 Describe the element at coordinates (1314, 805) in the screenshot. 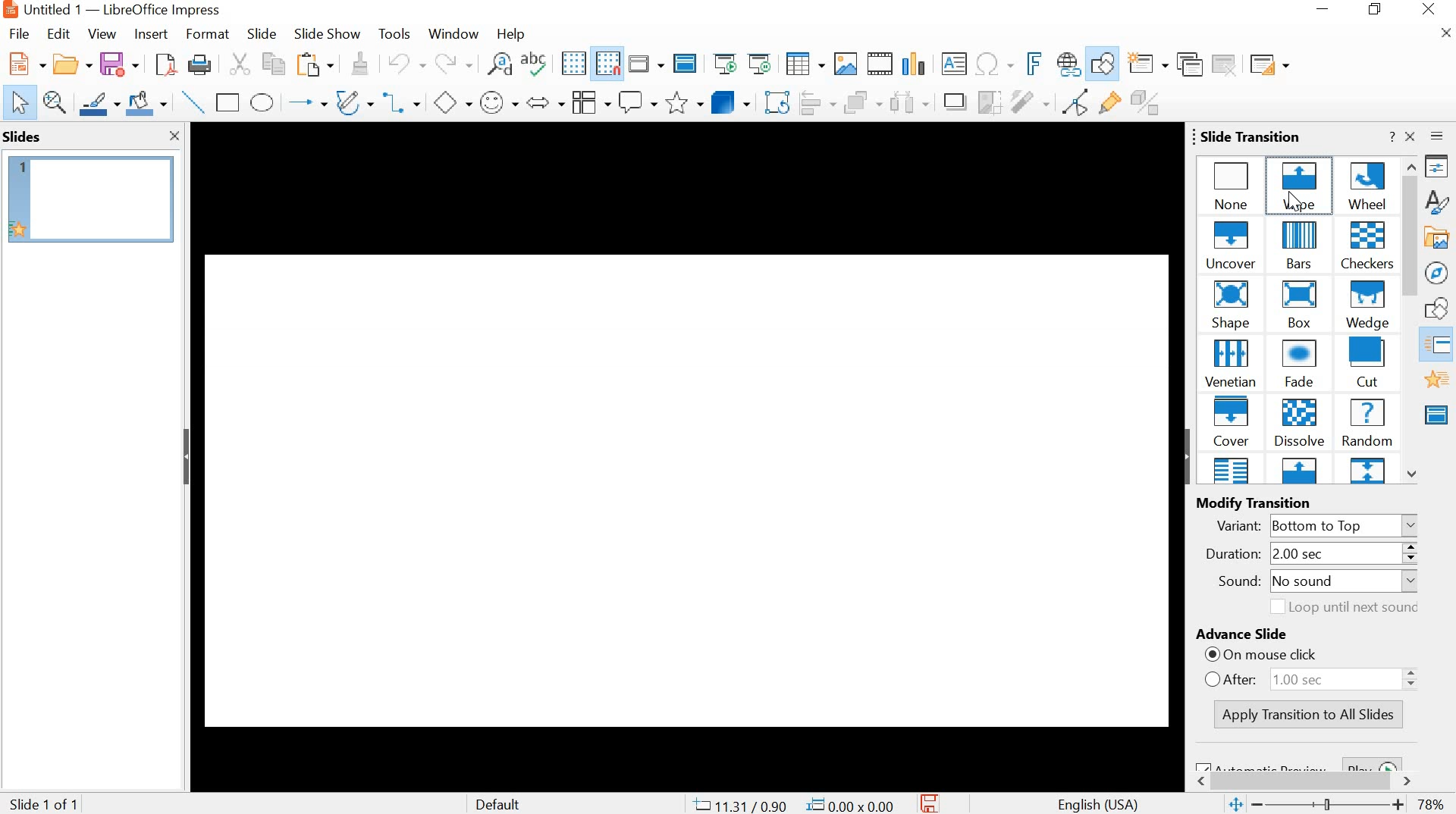

I see `ZOOM OUT OR ZOOM IN` at that location.